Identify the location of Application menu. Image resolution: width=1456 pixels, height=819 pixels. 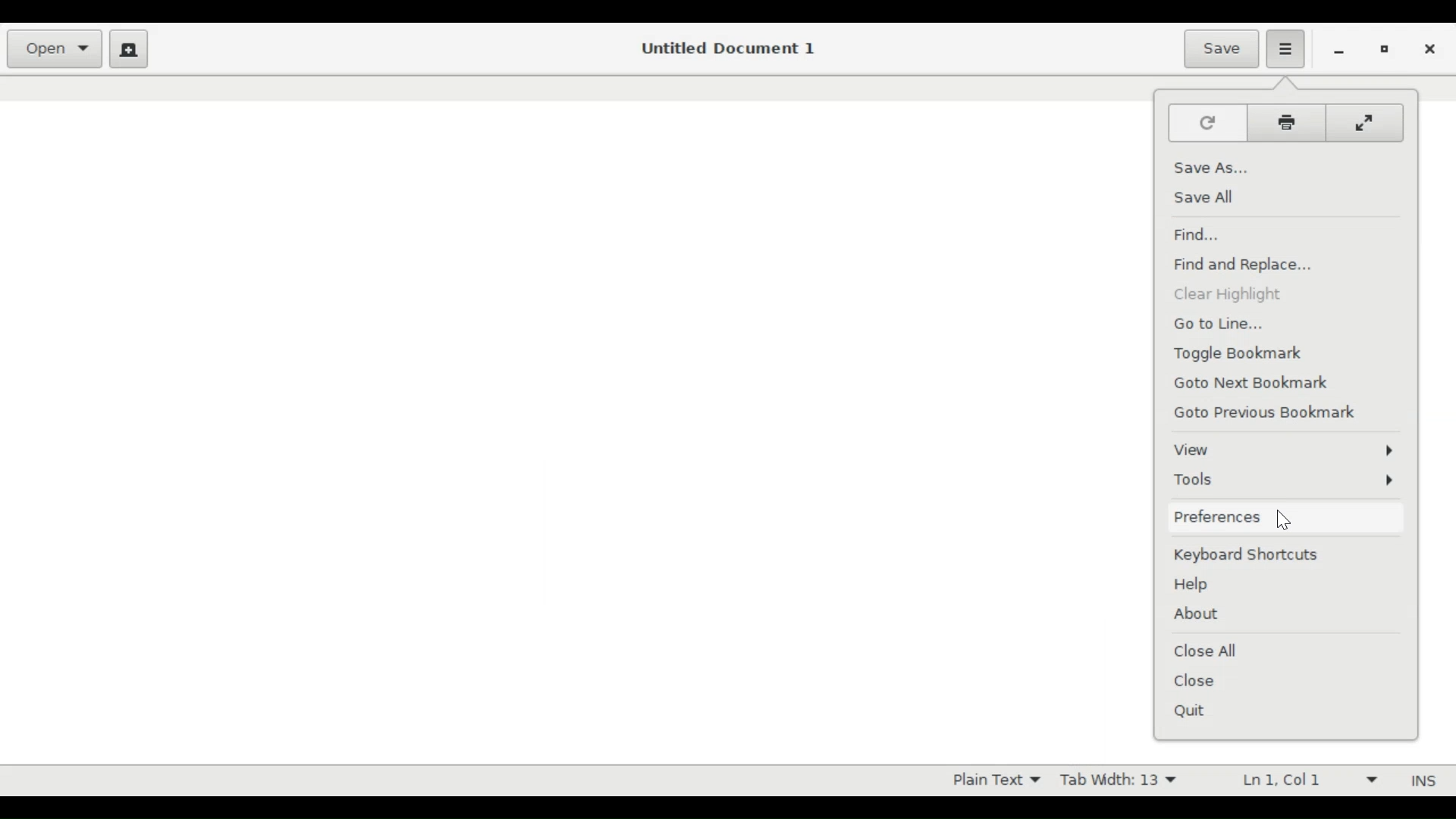
(1285, 50).